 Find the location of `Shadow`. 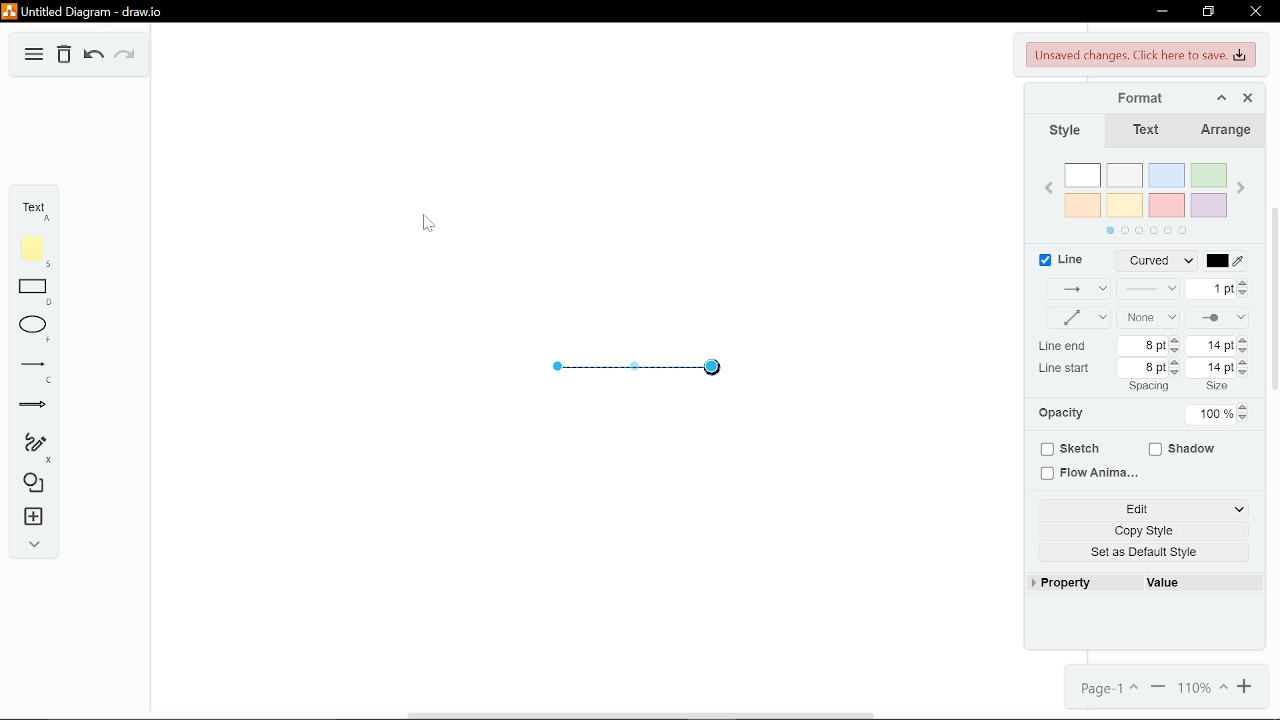

Shadow is located at coordinates (1186, 450).